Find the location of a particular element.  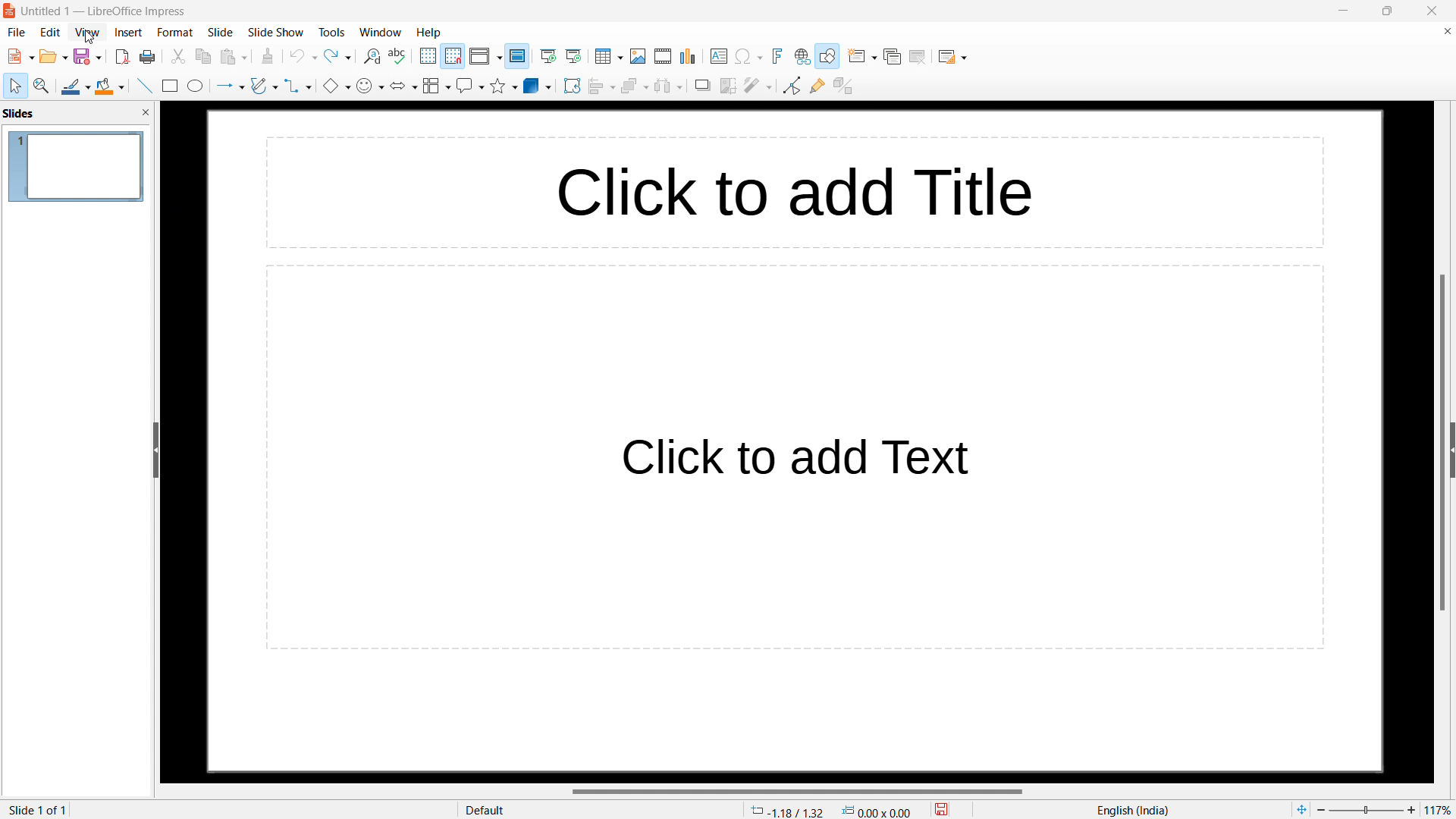

insert textbox is located at coordinates (720, 56).